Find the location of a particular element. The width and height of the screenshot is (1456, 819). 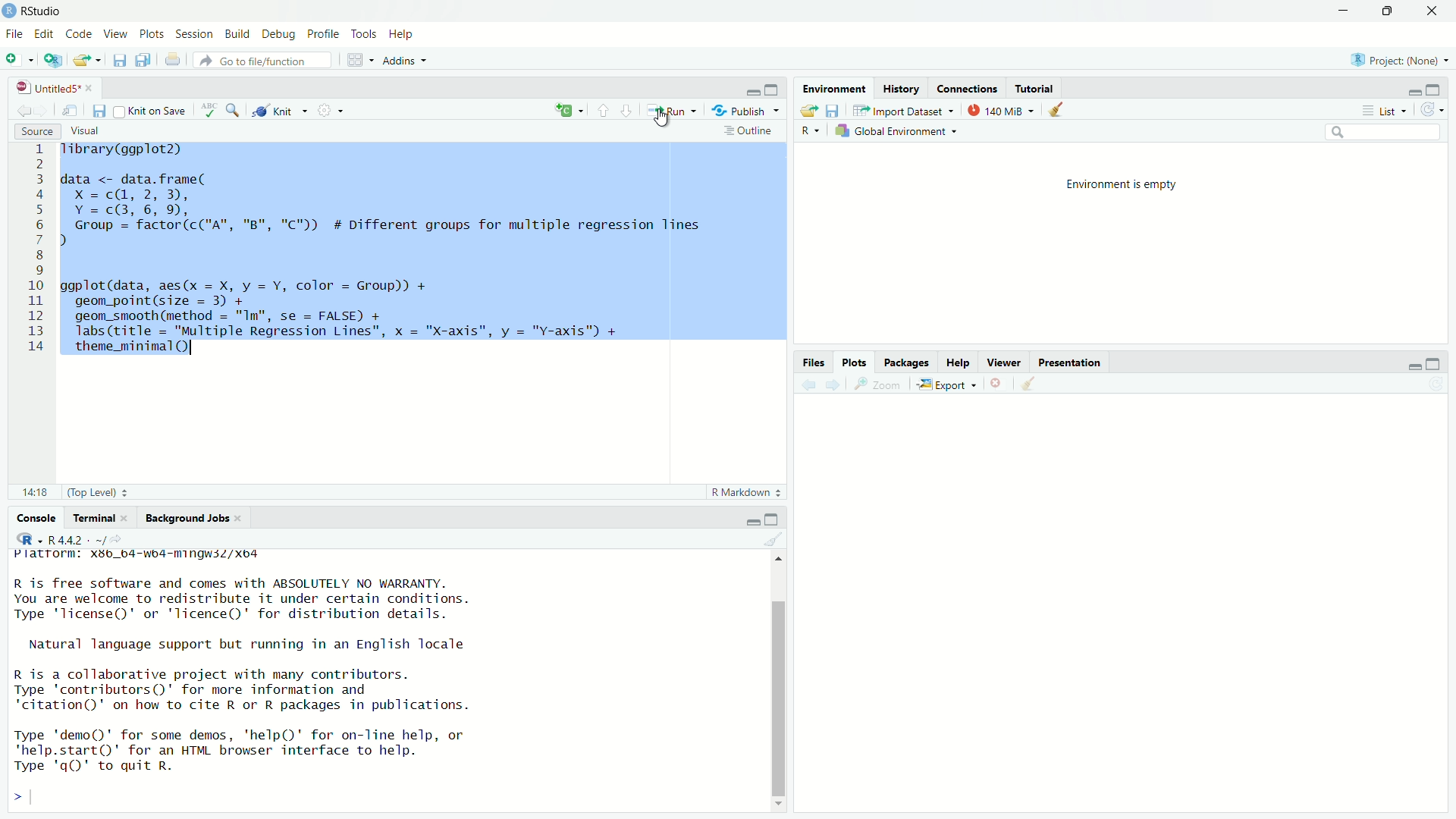

RStudio is located at coordinates (36, 11).